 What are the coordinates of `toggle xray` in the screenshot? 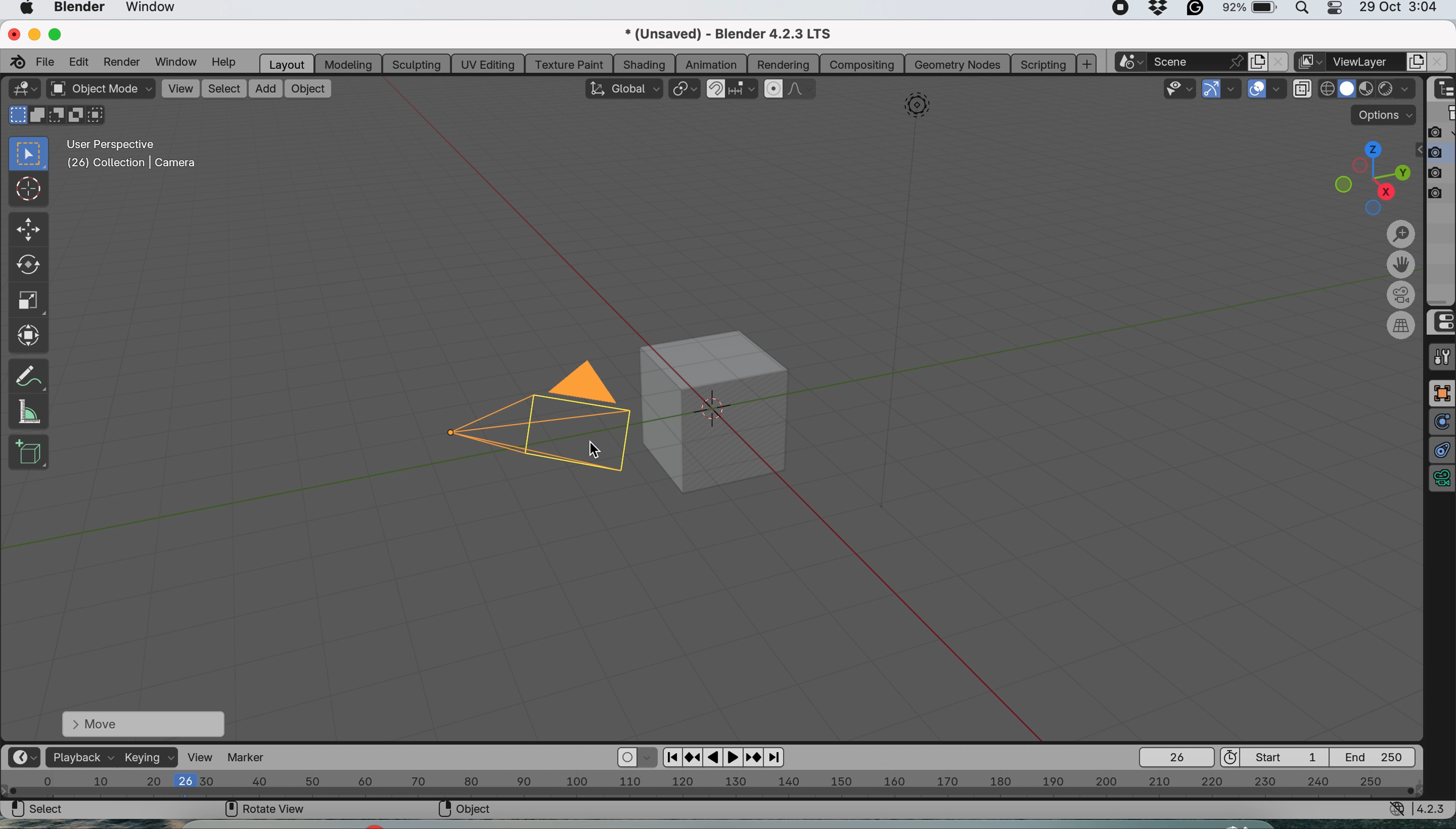 It's located at (1305, 91).